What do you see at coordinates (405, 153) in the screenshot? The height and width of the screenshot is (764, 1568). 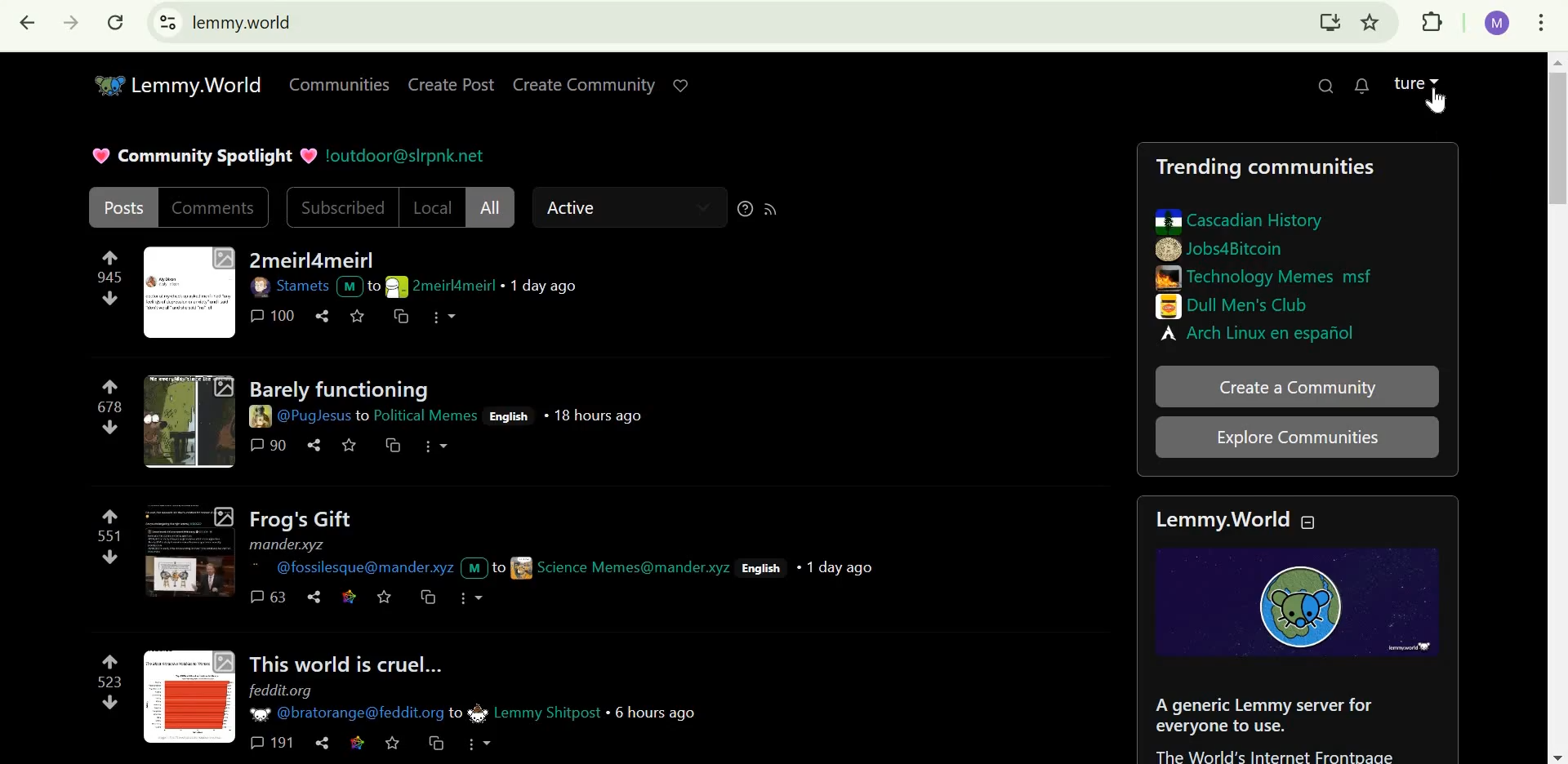 I see `!outdoor@slrpnk.net` at bounding box center [405, 153].